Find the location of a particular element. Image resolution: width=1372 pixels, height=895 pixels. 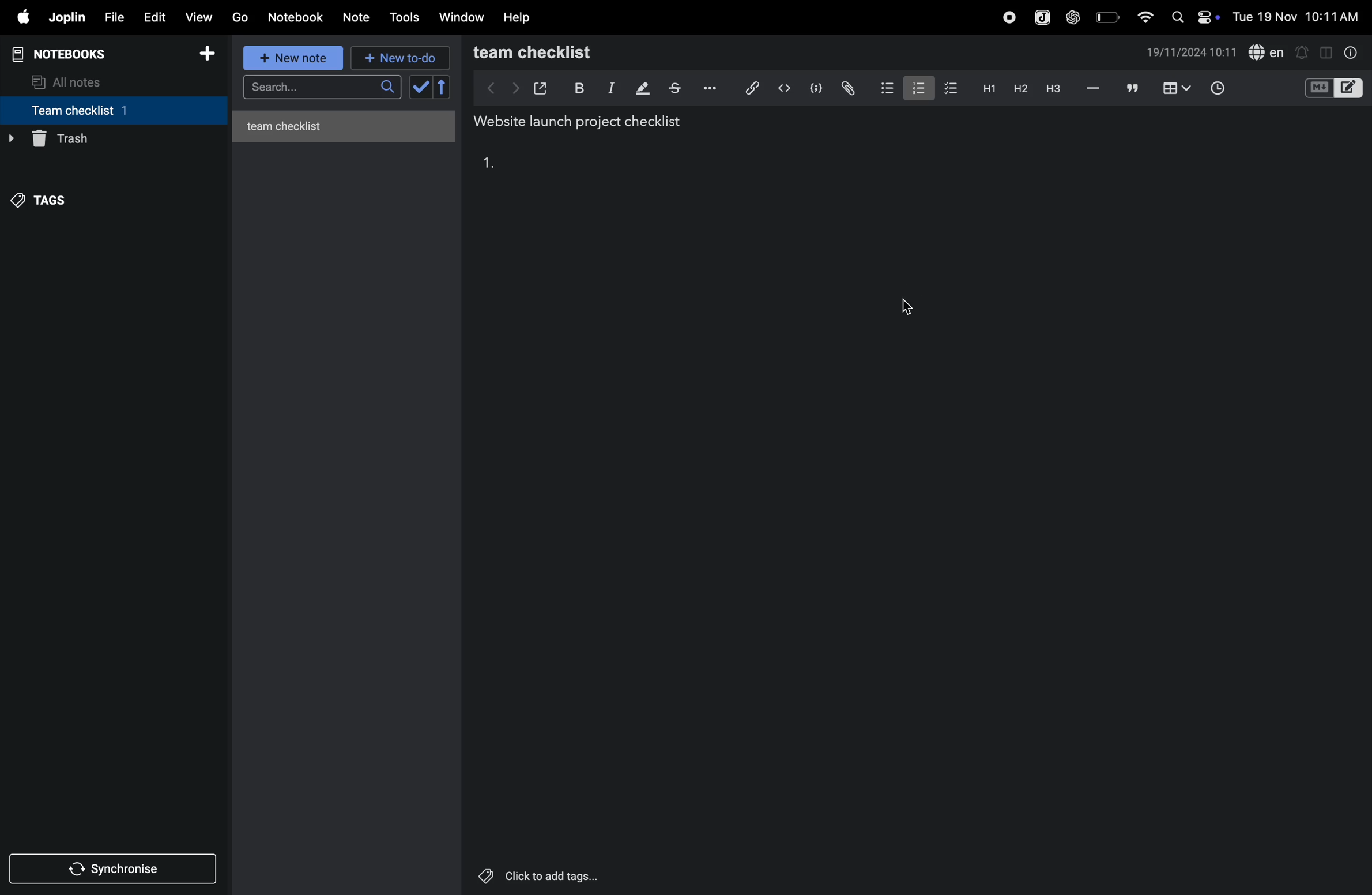

file is located at coordinates (114, 16).